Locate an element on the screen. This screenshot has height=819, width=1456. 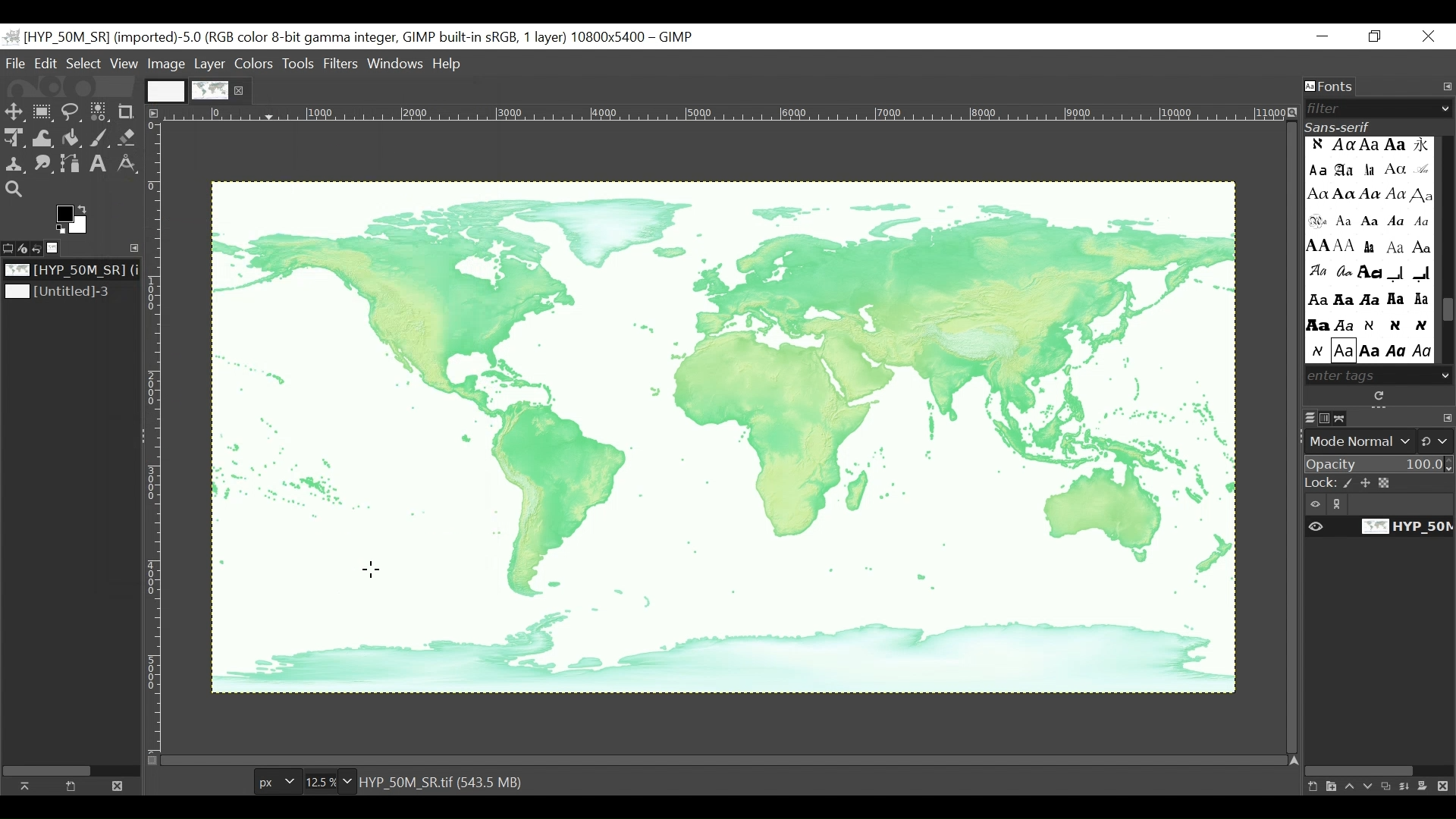
Channels is located at coordinates (1328, 418).